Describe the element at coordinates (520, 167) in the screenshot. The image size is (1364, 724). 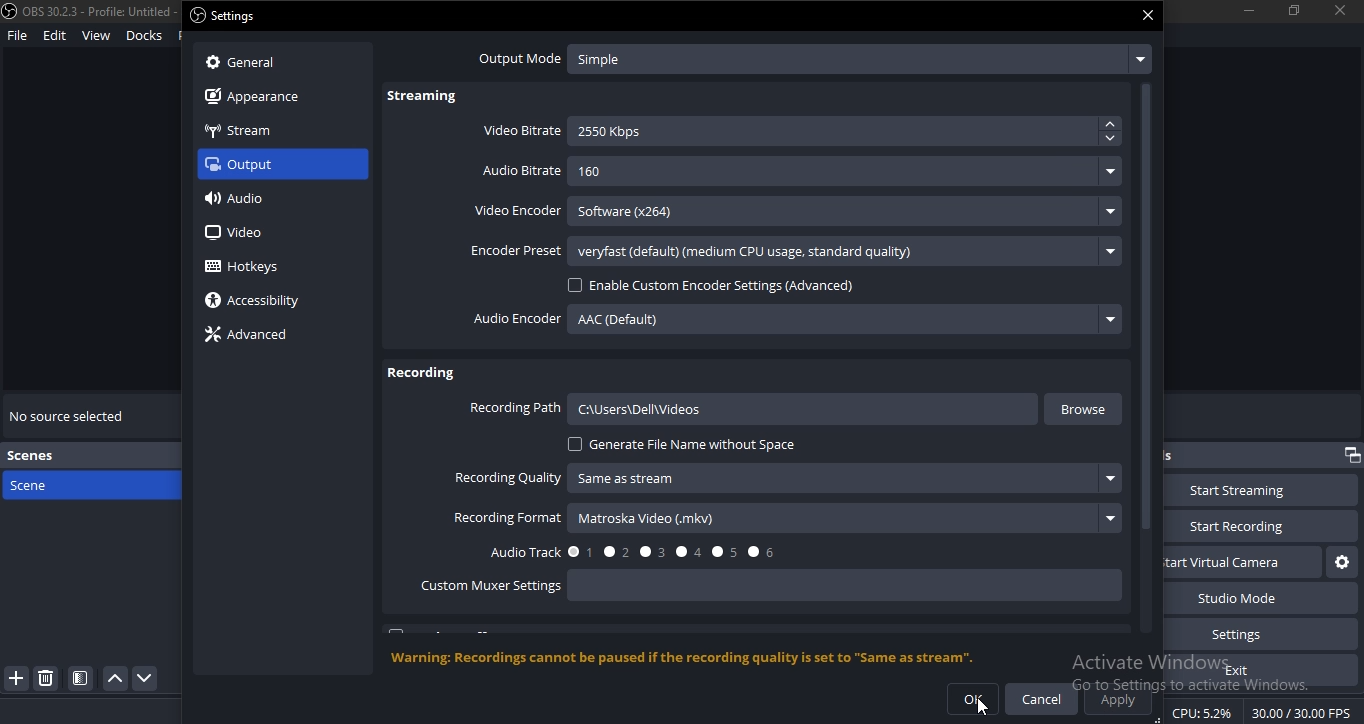
I see `audio bitrate -160` at that location.